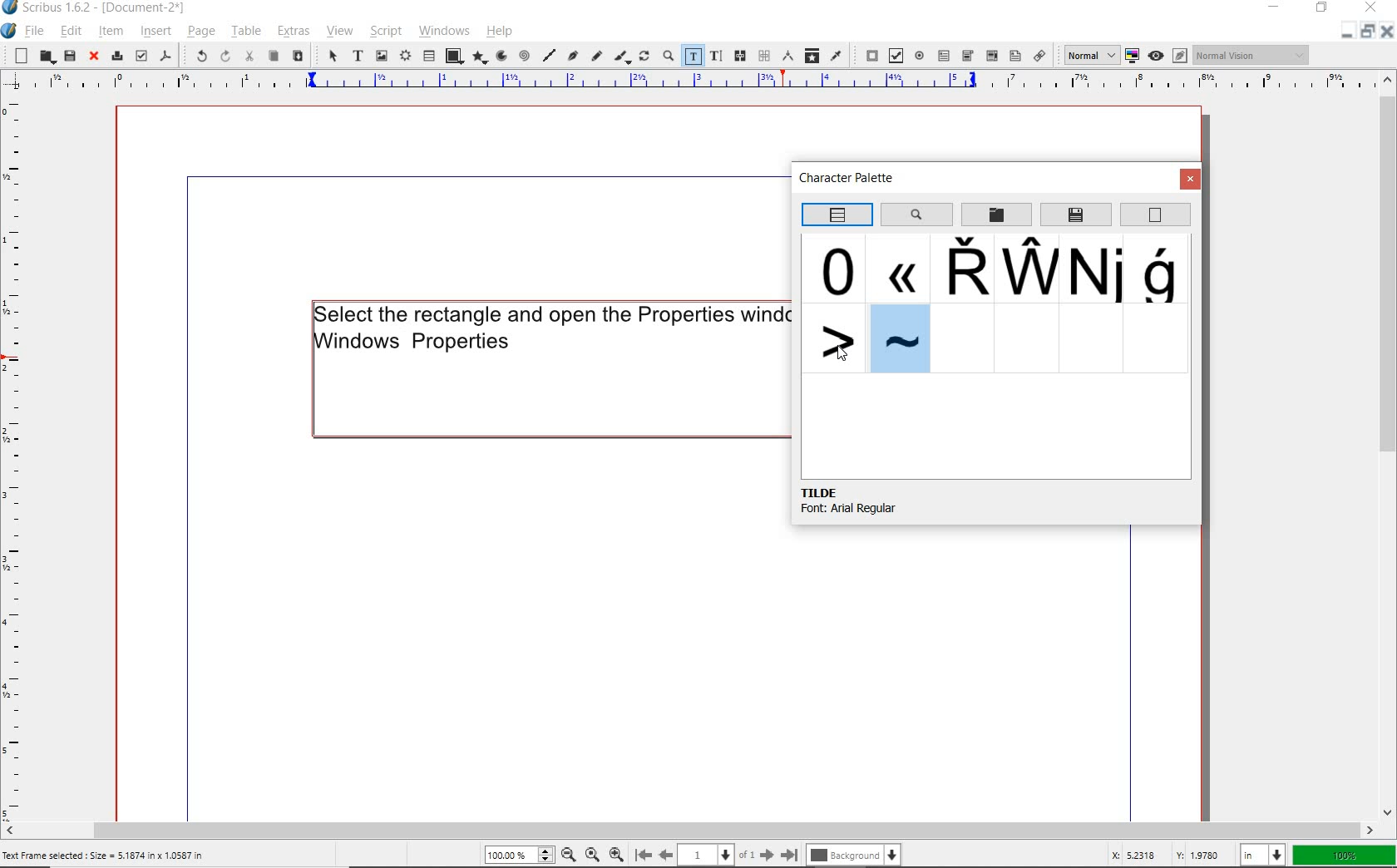 The width and height of the screenshot is (1397, 868). What do you see at coordinates (763, 56) in the screenshot?
I see `unlink text frames` at bounding box center [763, 56].